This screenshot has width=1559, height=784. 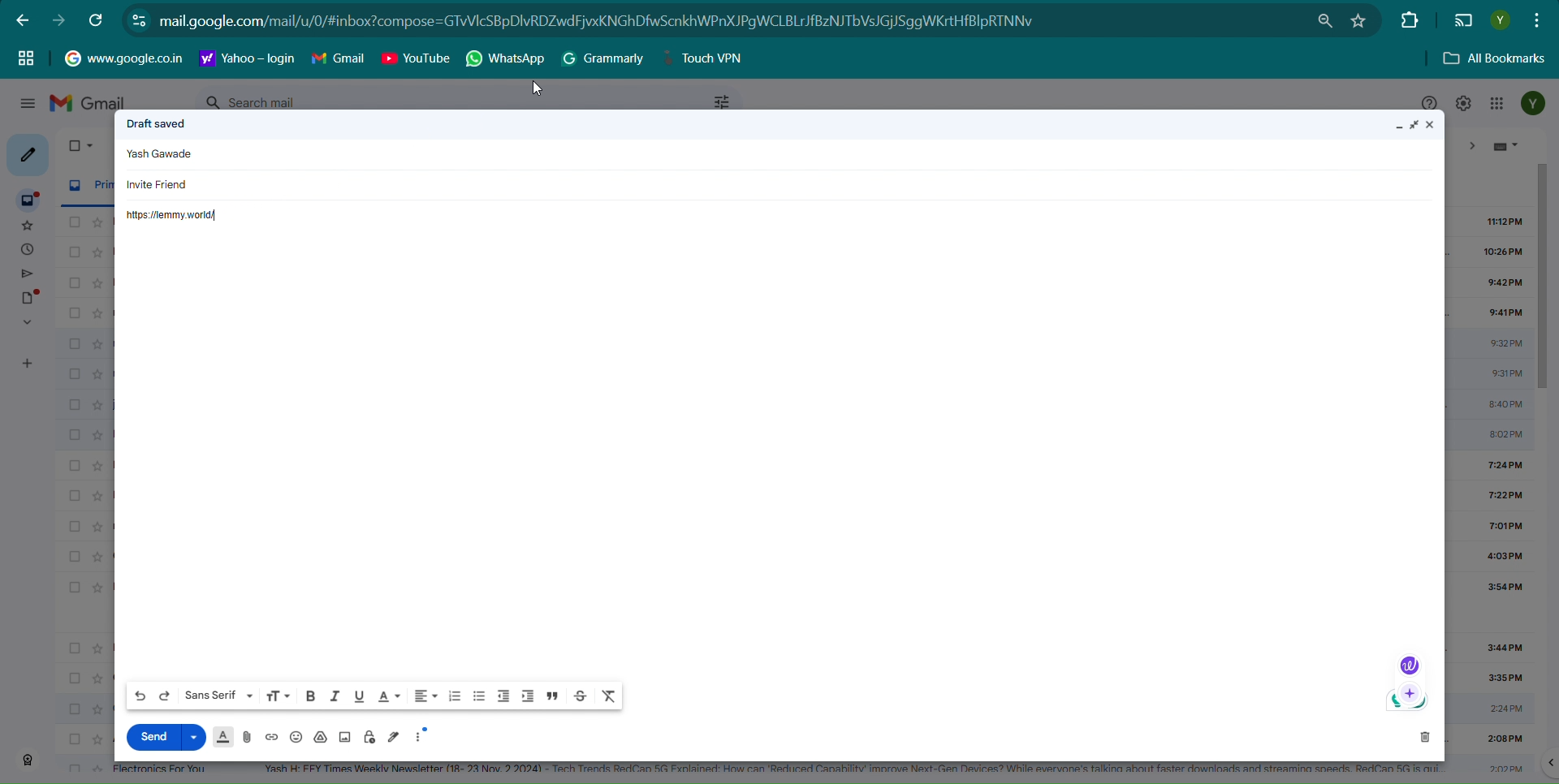 What do you see at coordinates (1496, 59) in the screenshot?
I see `All Bookmarks` at bounding box center [1496, 59].